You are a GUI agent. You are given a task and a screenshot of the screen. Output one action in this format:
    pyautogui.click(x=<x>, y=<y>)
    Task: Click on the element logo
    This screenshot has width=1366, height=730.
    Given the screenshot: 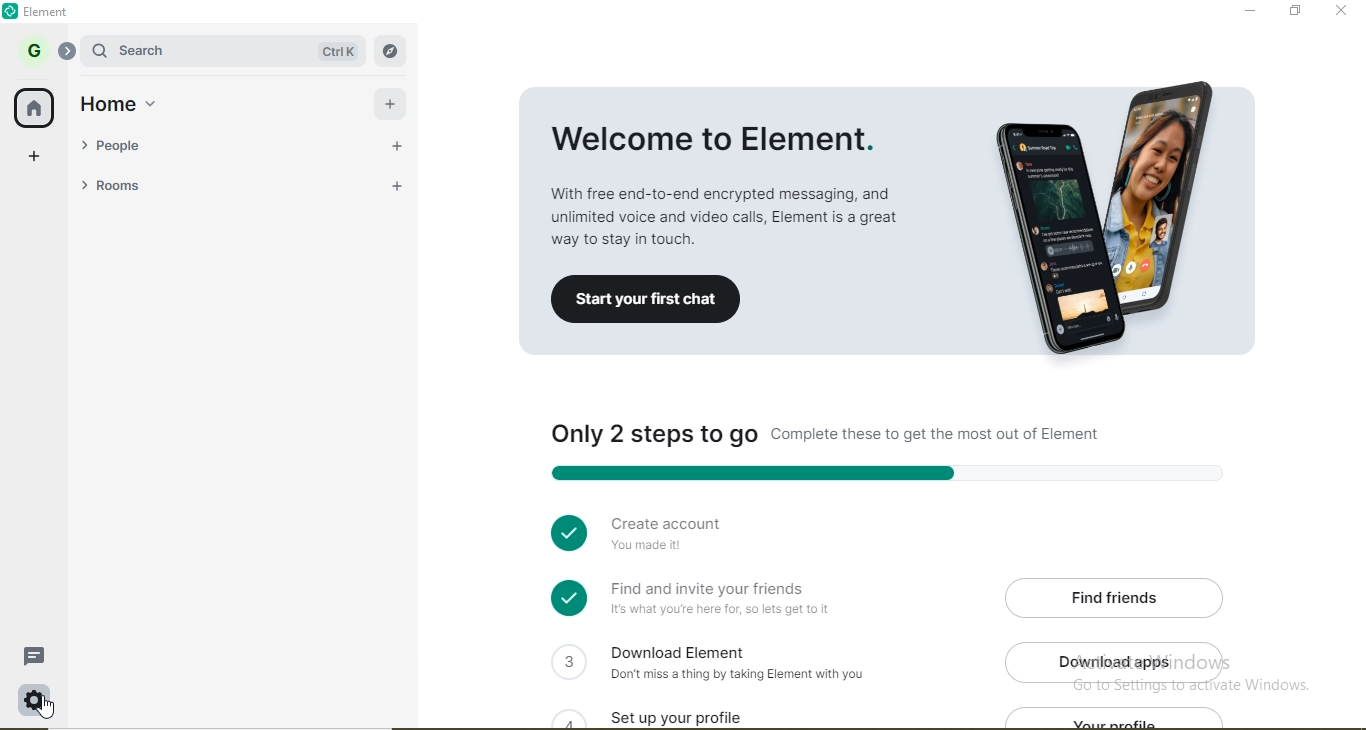 What is the action you would take?
    pyautogui.click(x=13, y=11)
    